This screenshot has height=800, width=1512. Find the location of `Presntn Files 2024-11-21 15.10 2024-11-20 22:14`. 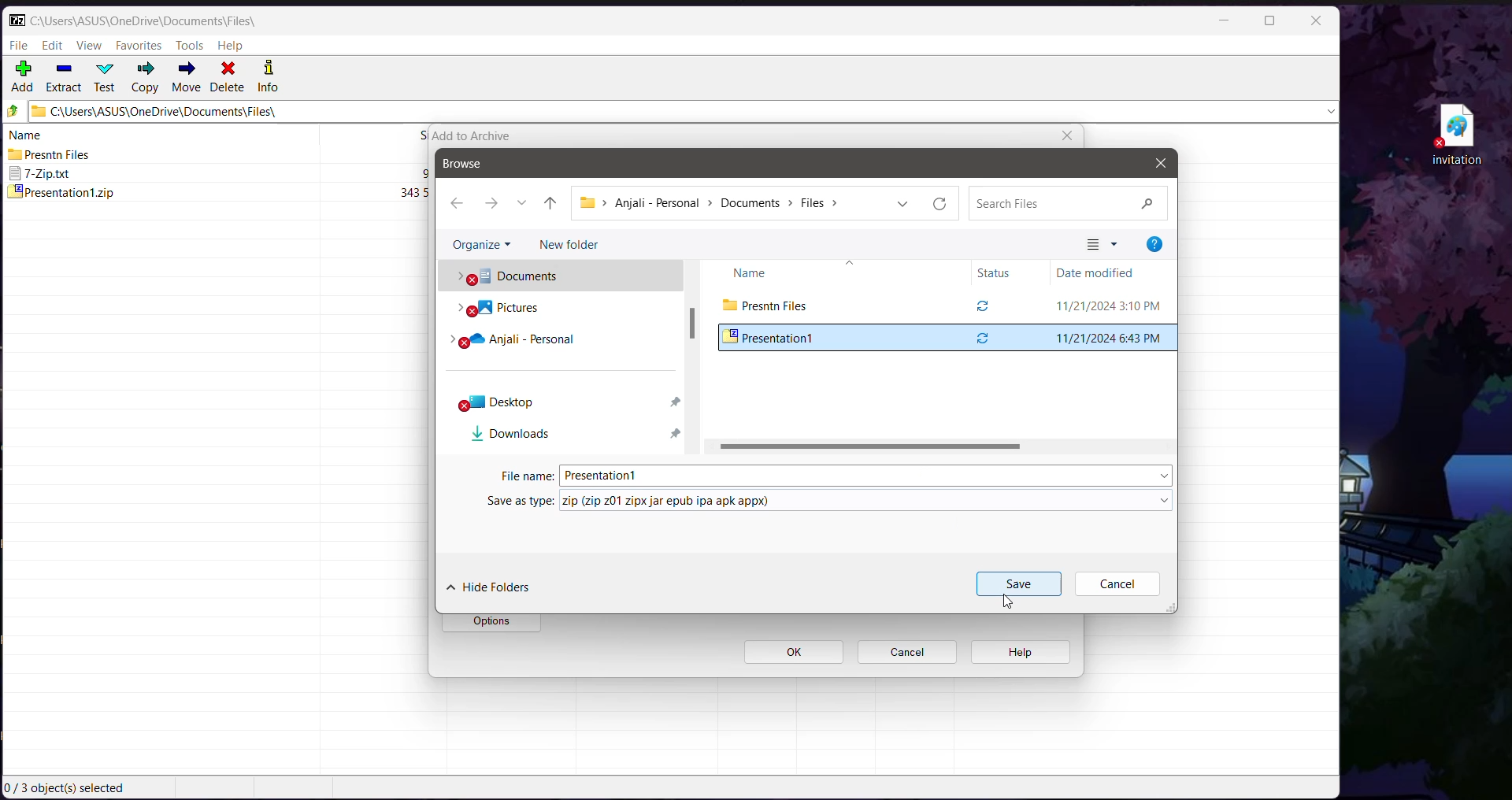

Presntn Files 2024-11-21 15.10 2024-11-20 22:14 is located at coordinates (217, 154).